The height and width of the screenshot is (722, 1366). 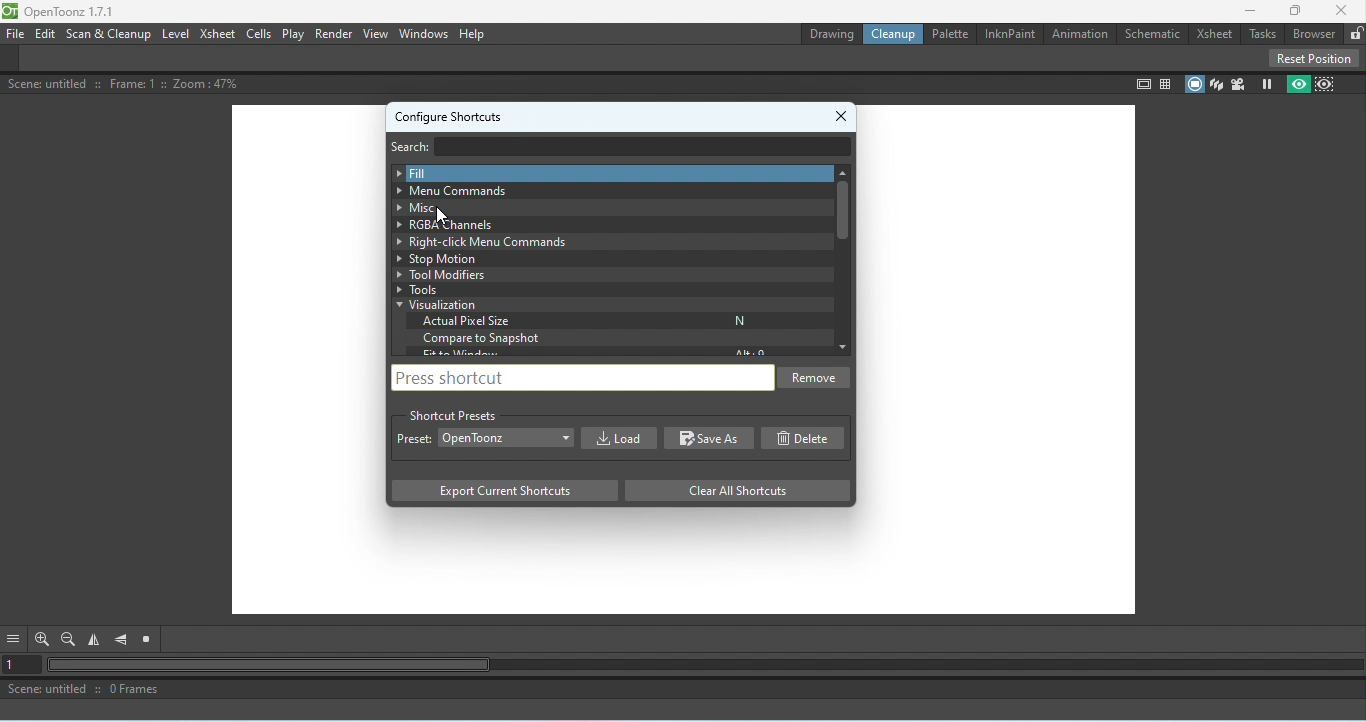 I want to click on Search, so click(x=419, y=145).